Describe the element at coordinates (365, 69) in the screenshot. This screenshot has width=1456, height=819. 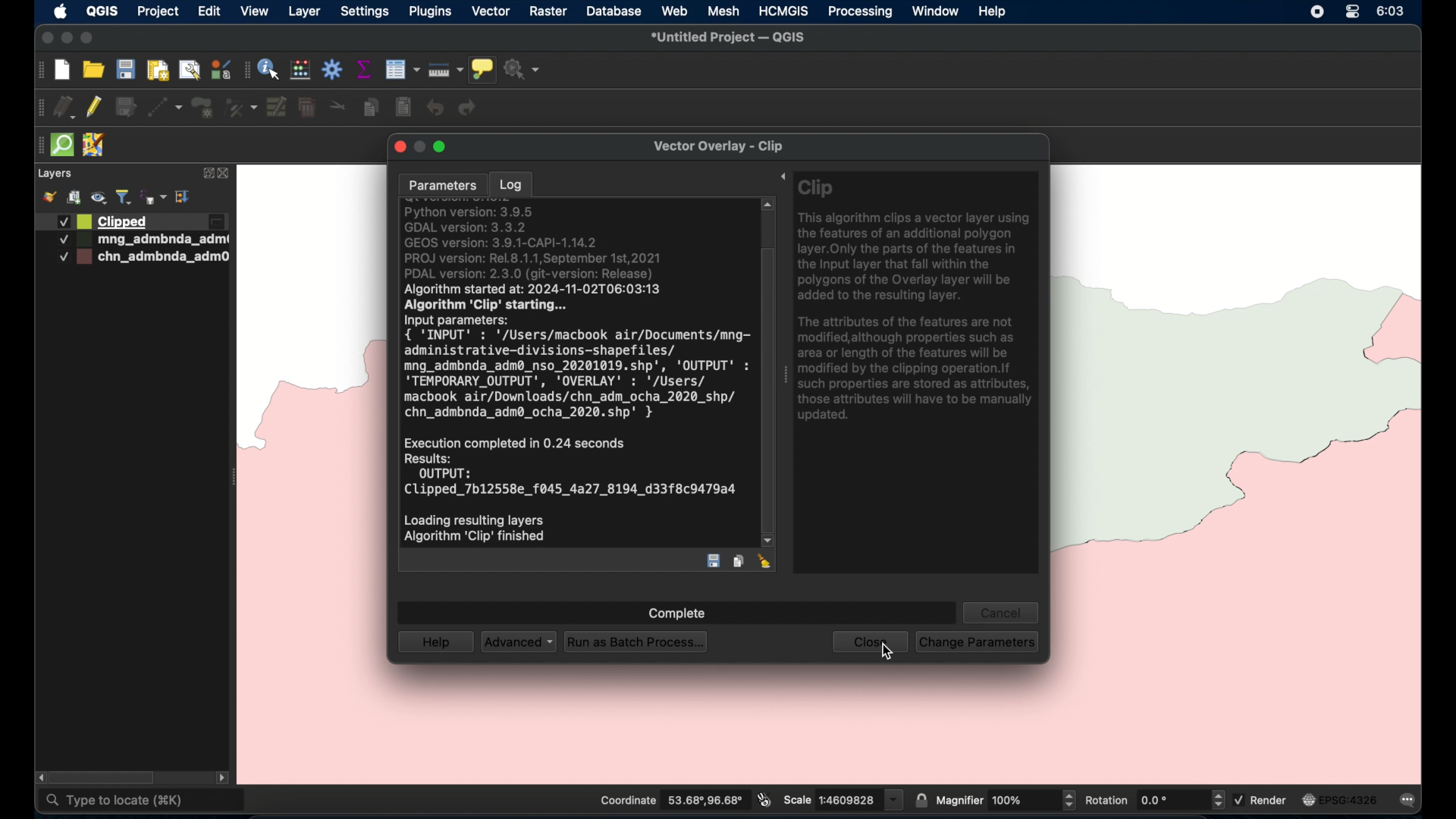
I see `show statistical summary` at that location.